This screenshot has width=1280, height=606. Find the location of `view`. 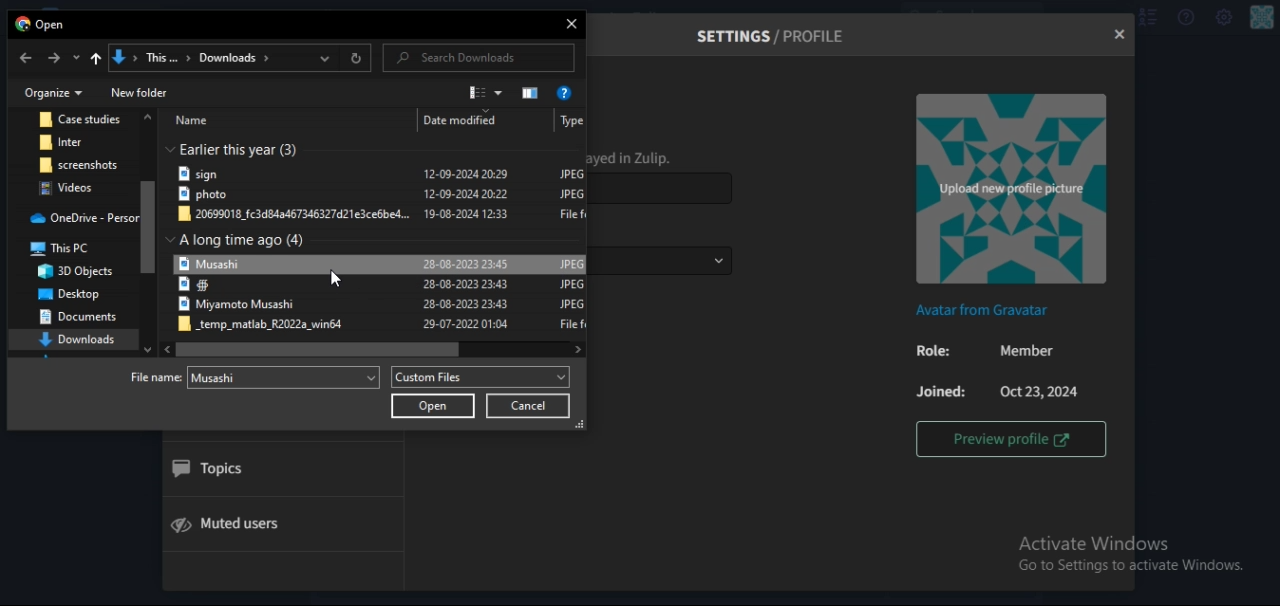

view is located at coordinates (486, 92).